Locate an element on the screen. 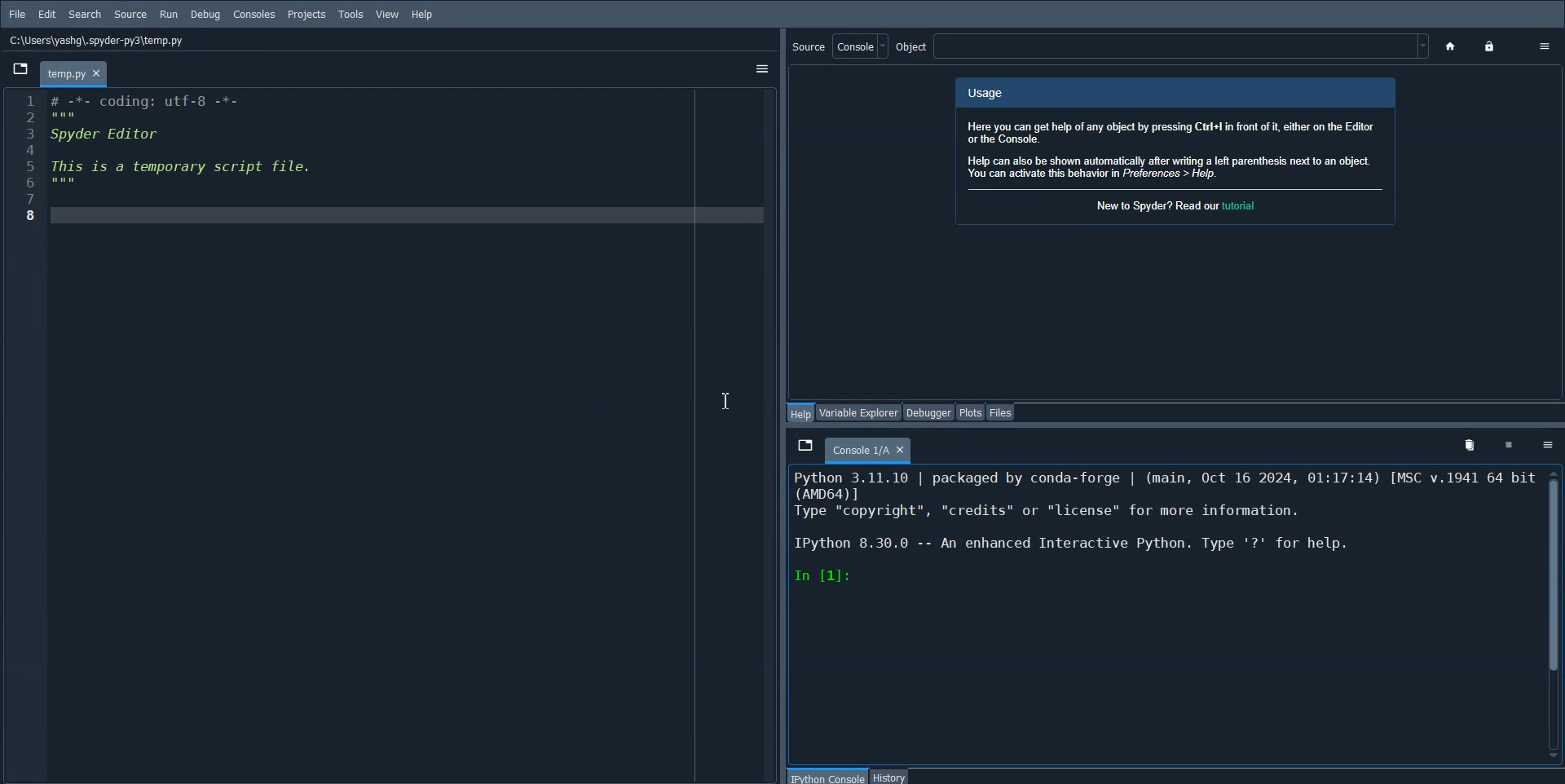 The height and width of the screenshot is (784, 1565). Options is located at coordinates (1548, 444).